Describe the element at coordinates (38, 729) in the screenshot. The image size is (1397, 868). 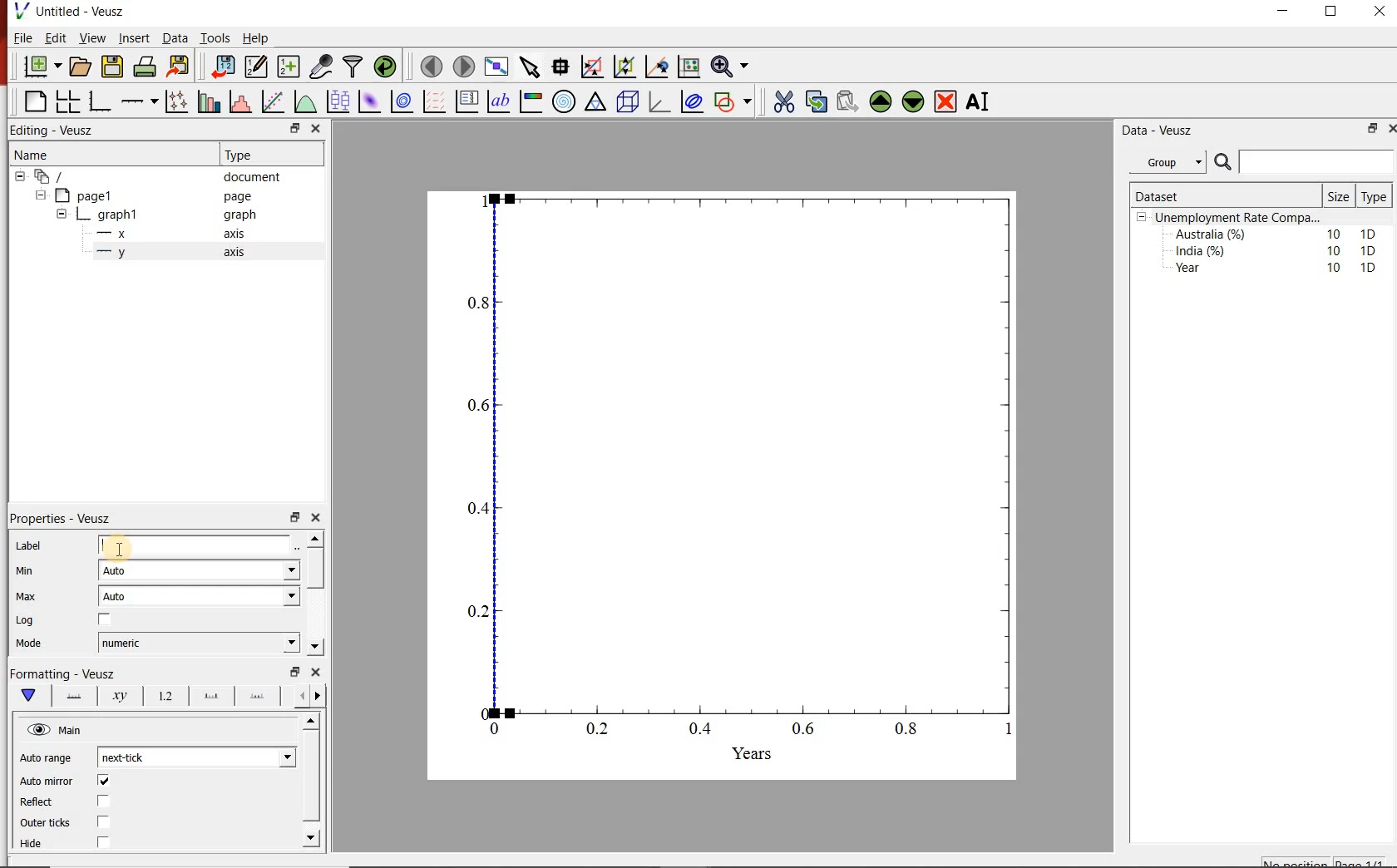
I see `hide/unhide` at that location.